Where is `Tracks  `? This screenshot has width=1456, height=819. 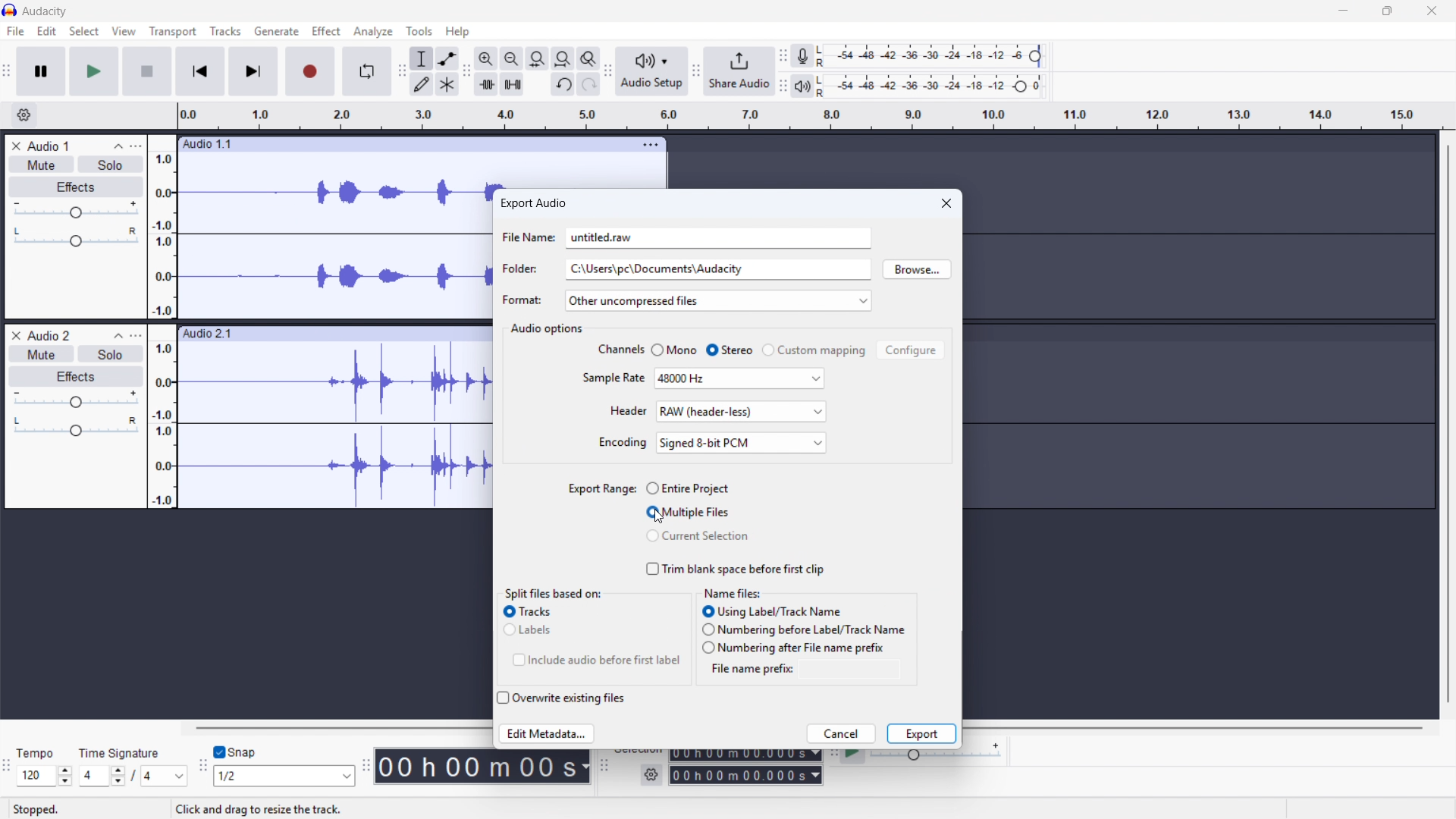 Tracks   is located at coordinates (224, 30).